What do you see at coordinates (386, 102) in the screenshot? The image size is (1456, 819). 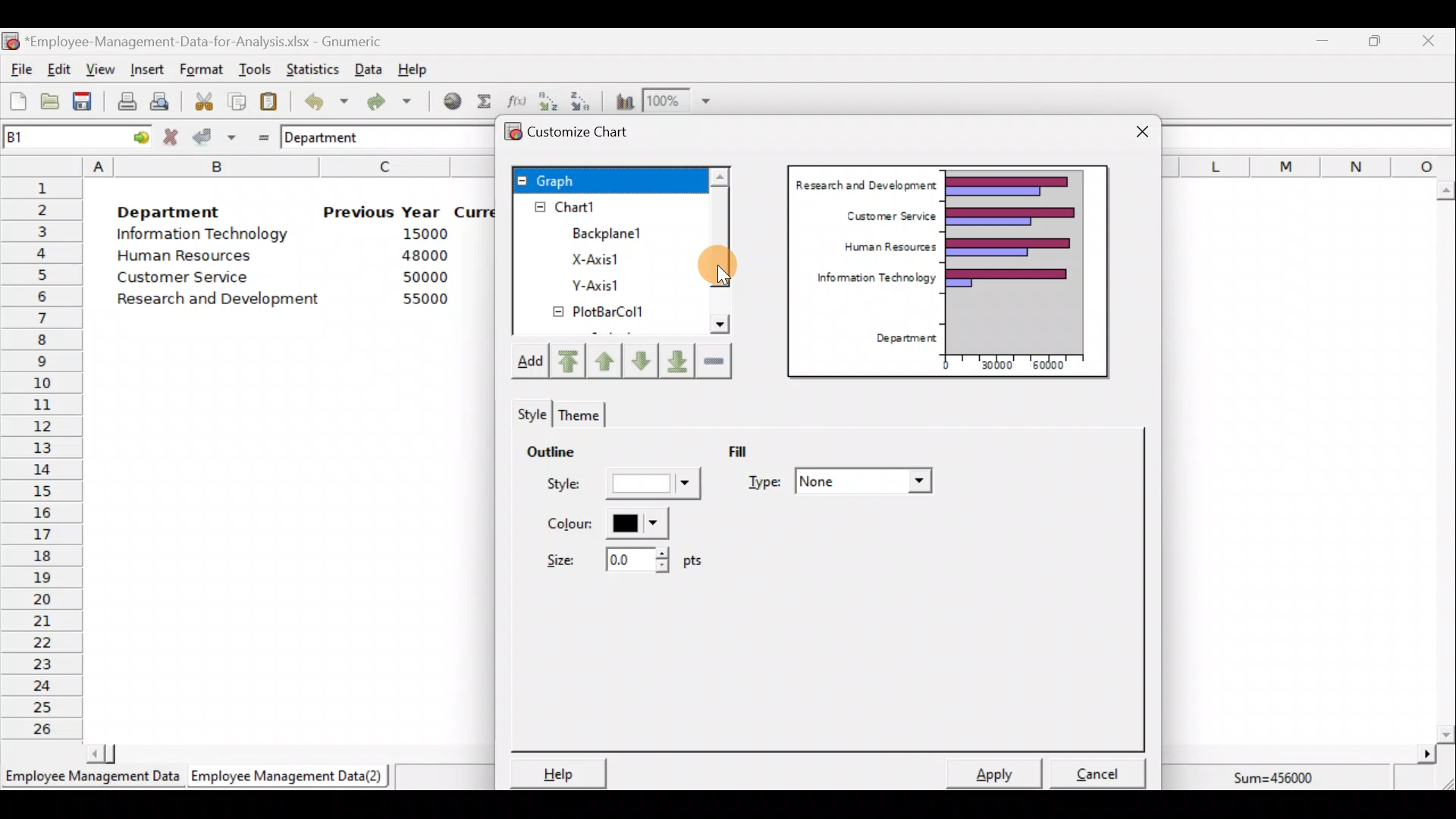 I see `Redo undone action` at bounding box center [386, 102].